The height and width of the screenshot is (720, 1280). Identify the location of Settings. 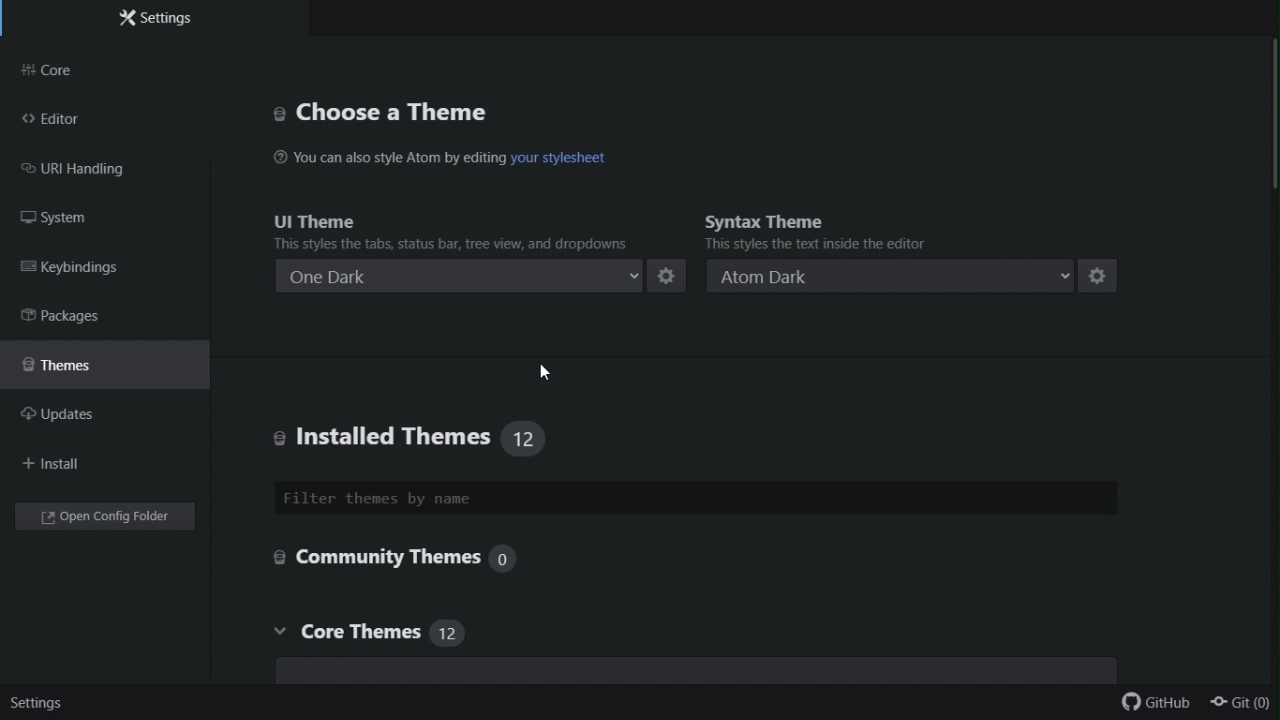
(164, 20).